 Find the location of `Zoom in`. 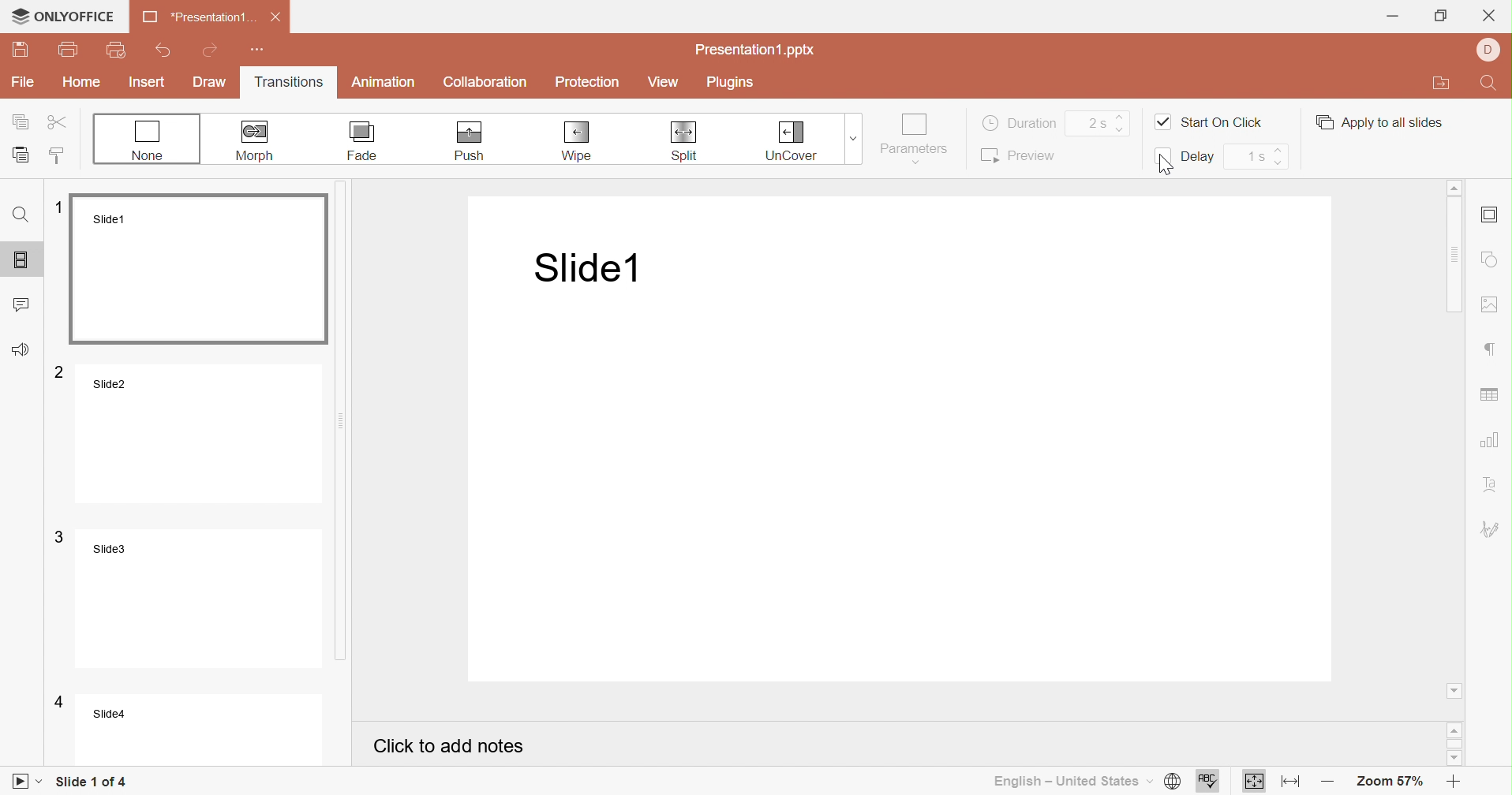

Zoom in is located at coordinates (1454, 784).